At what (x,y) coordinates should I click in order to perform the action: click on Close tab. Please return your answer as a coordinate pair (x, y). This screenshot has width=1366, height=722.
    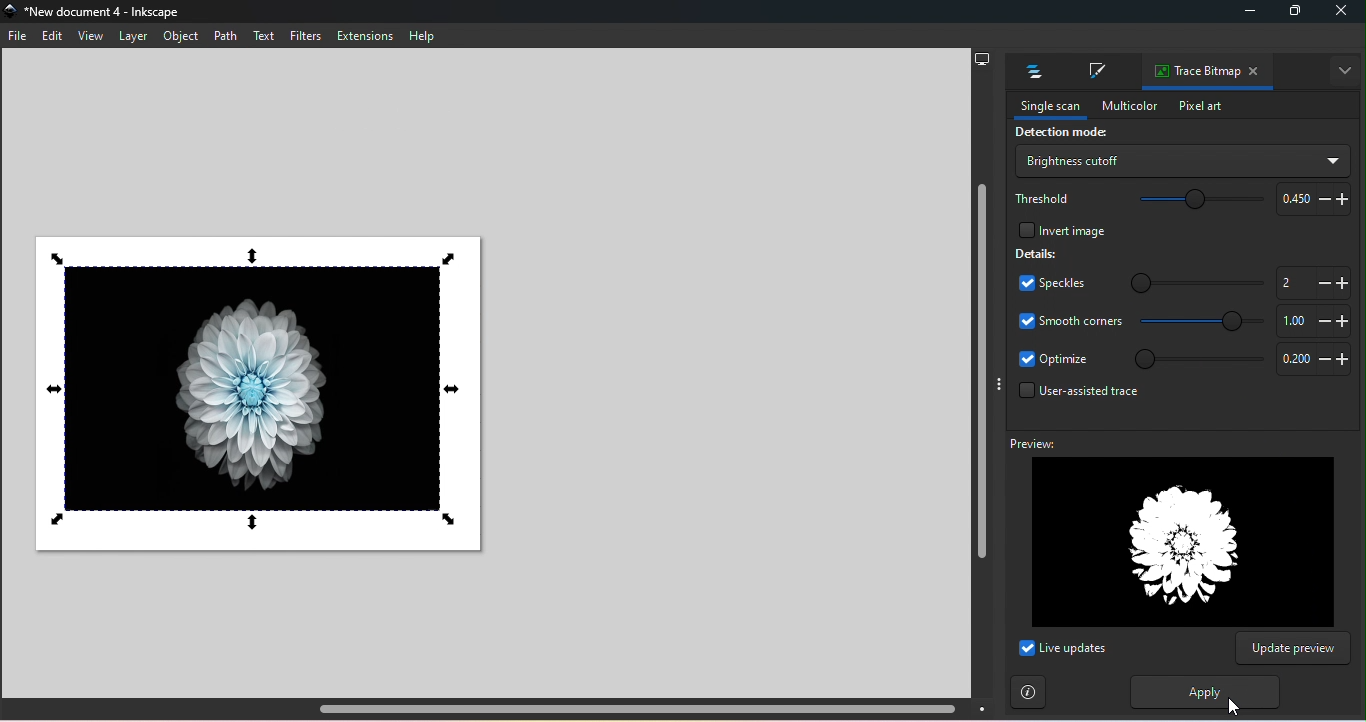
    Looking at the image, I should click on (1254, 72).